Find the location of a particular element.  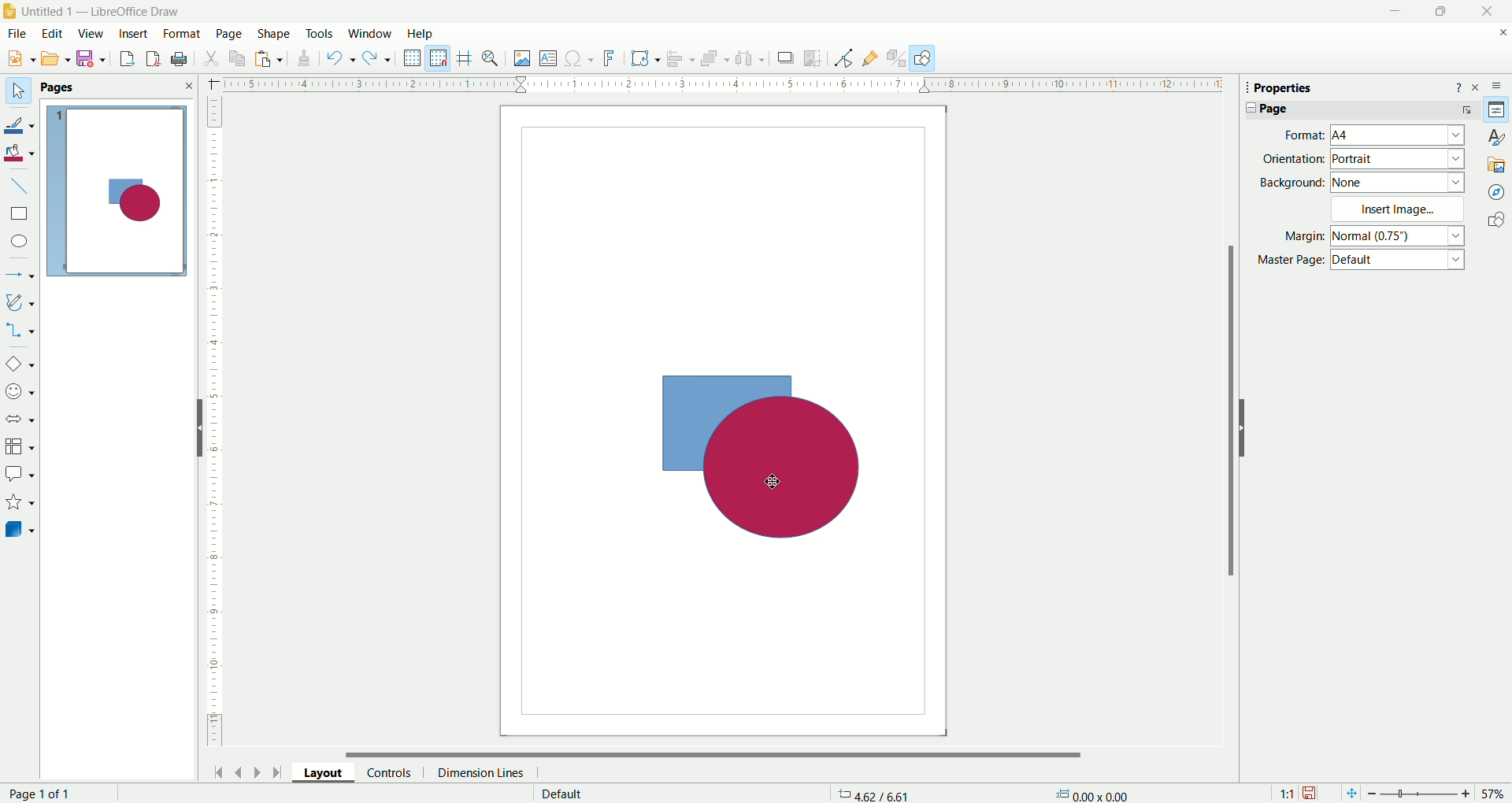

arrange is located at coordinates (713, 58).